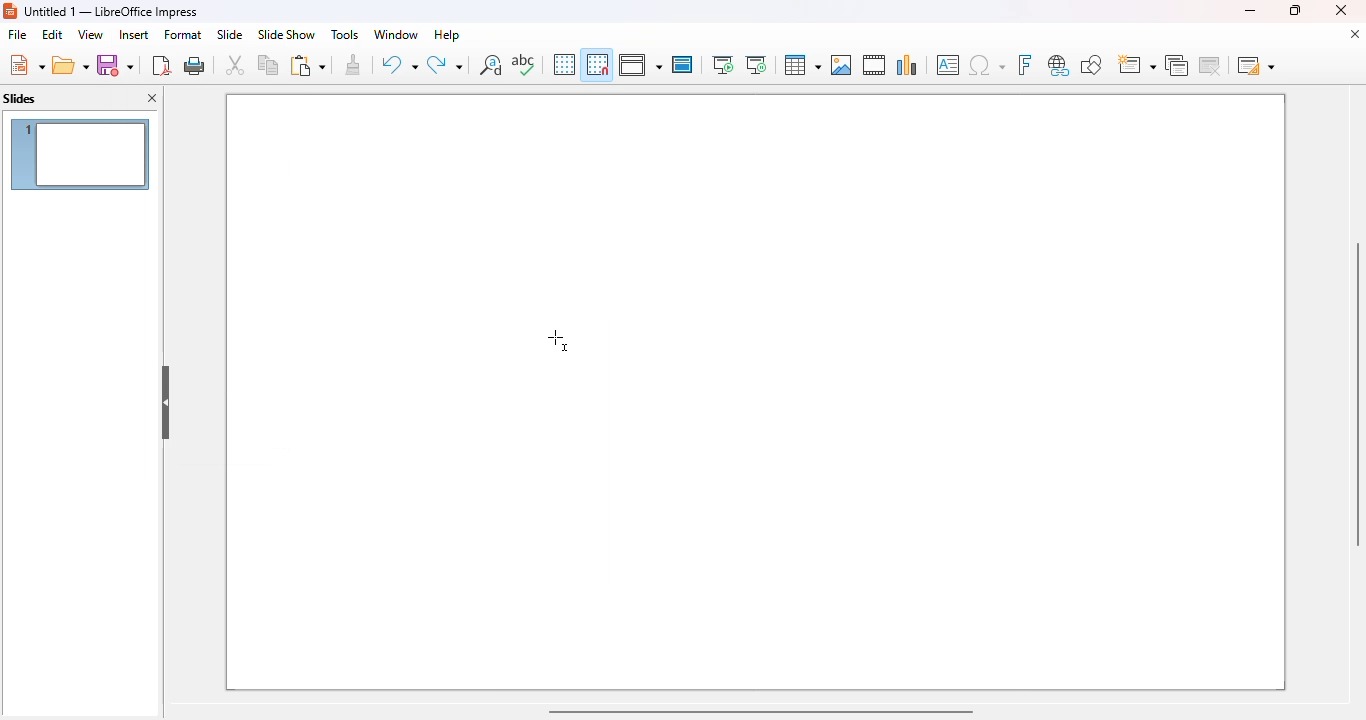 The width and height of the screenshot is (1366, 720). I want to click on cursor, so click(558, 339).